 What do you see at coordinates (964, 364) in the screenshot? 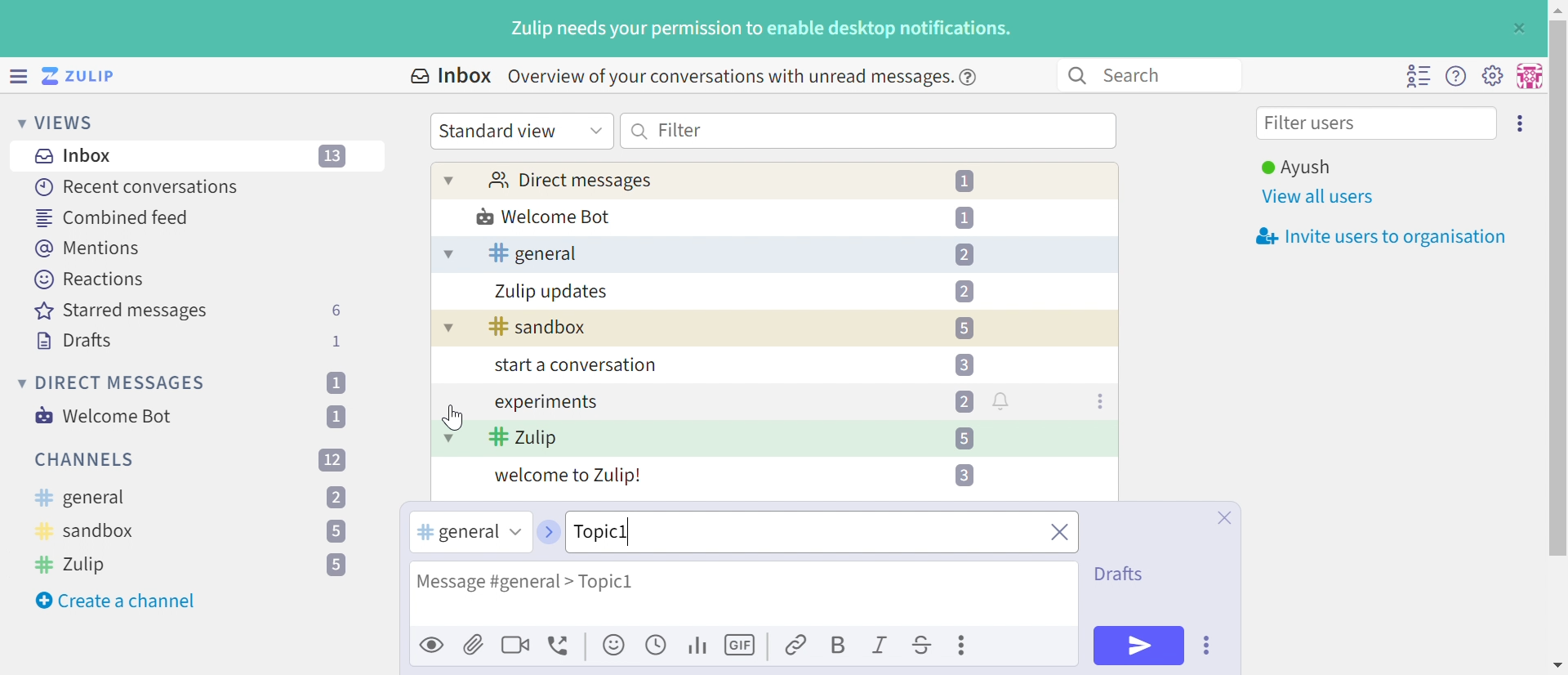
I see `3` at bounding box center [964, 364].